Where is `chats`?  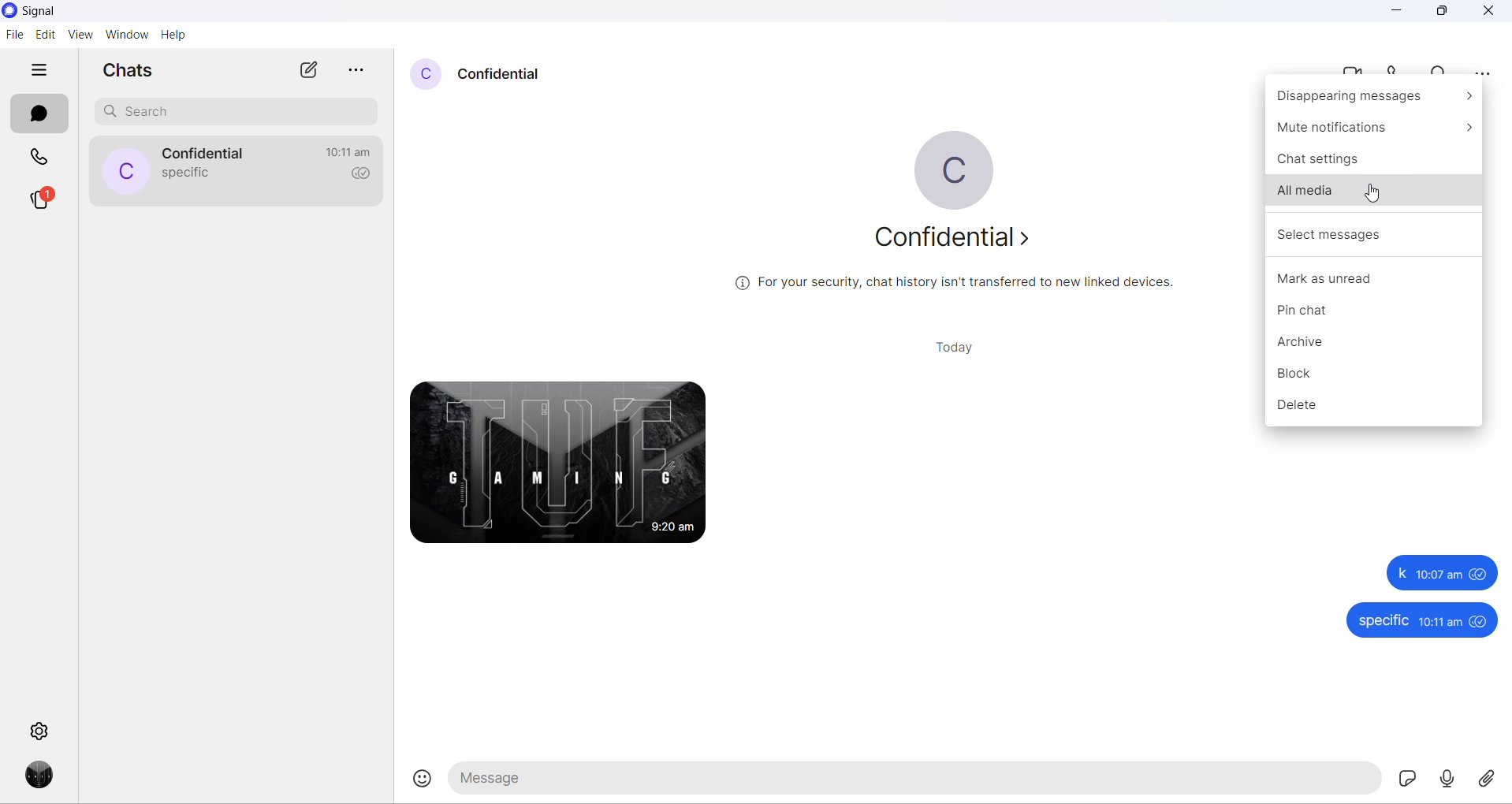 chats is located at coordinates (39, 115).